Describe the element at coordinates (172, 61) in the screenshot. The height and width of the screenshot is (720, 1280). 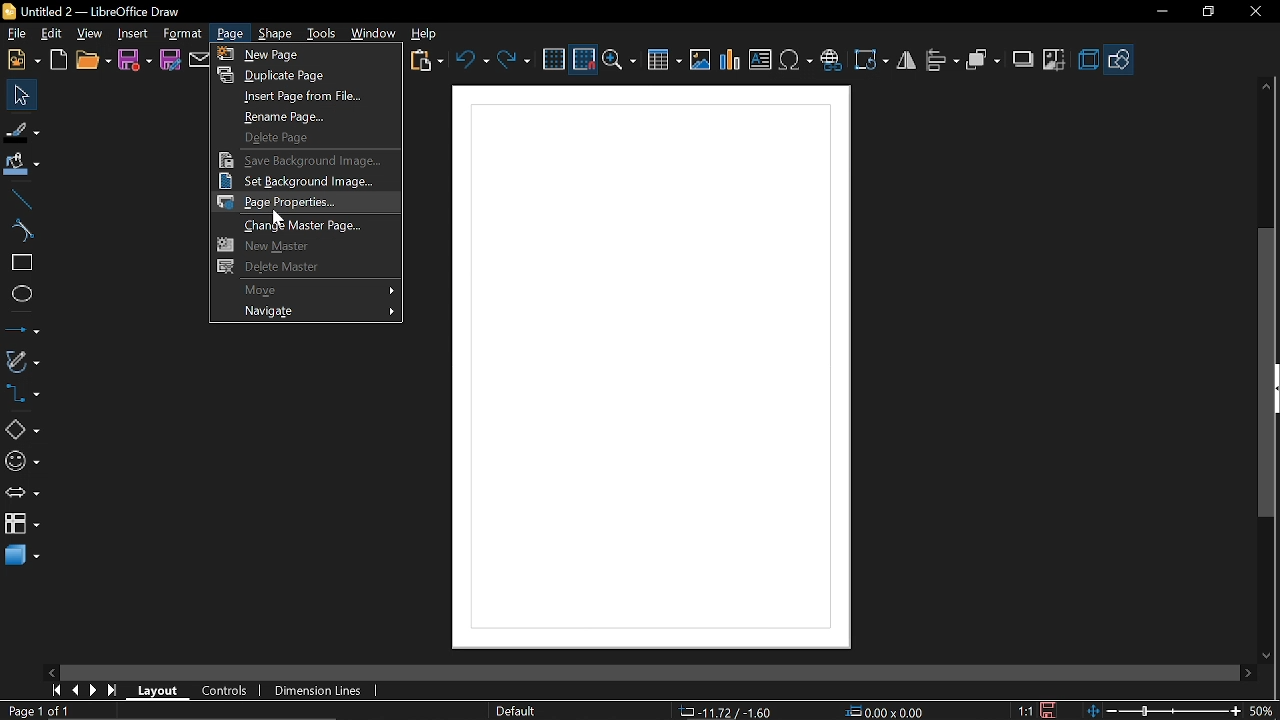
I see `Save as` at that location.